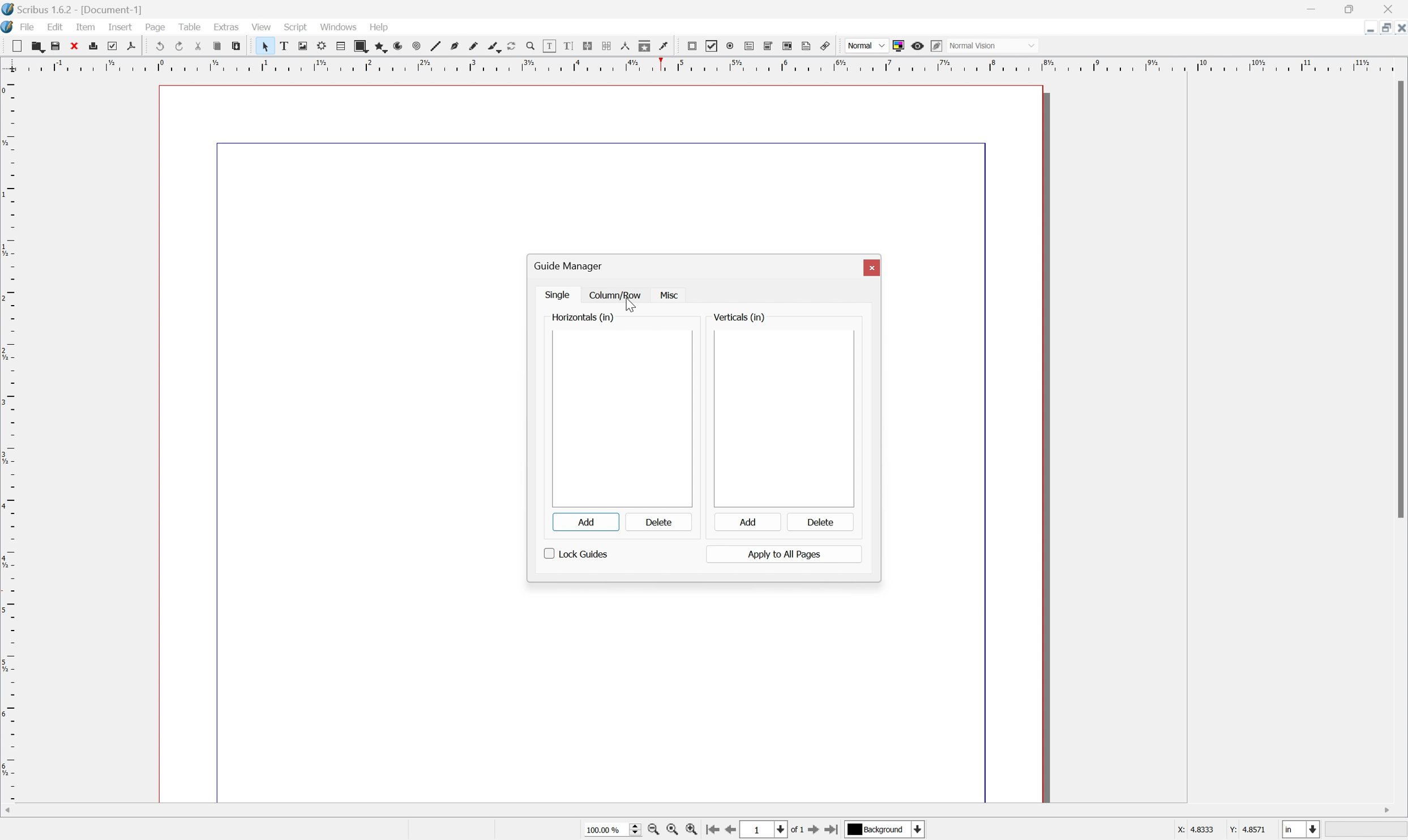 Image resolution: width=1408 pixels, height=840 pixels. What do you see at coordinates (693, 46) in the screenshot?
I see `pdf push button` at bounding box center [693, 46].